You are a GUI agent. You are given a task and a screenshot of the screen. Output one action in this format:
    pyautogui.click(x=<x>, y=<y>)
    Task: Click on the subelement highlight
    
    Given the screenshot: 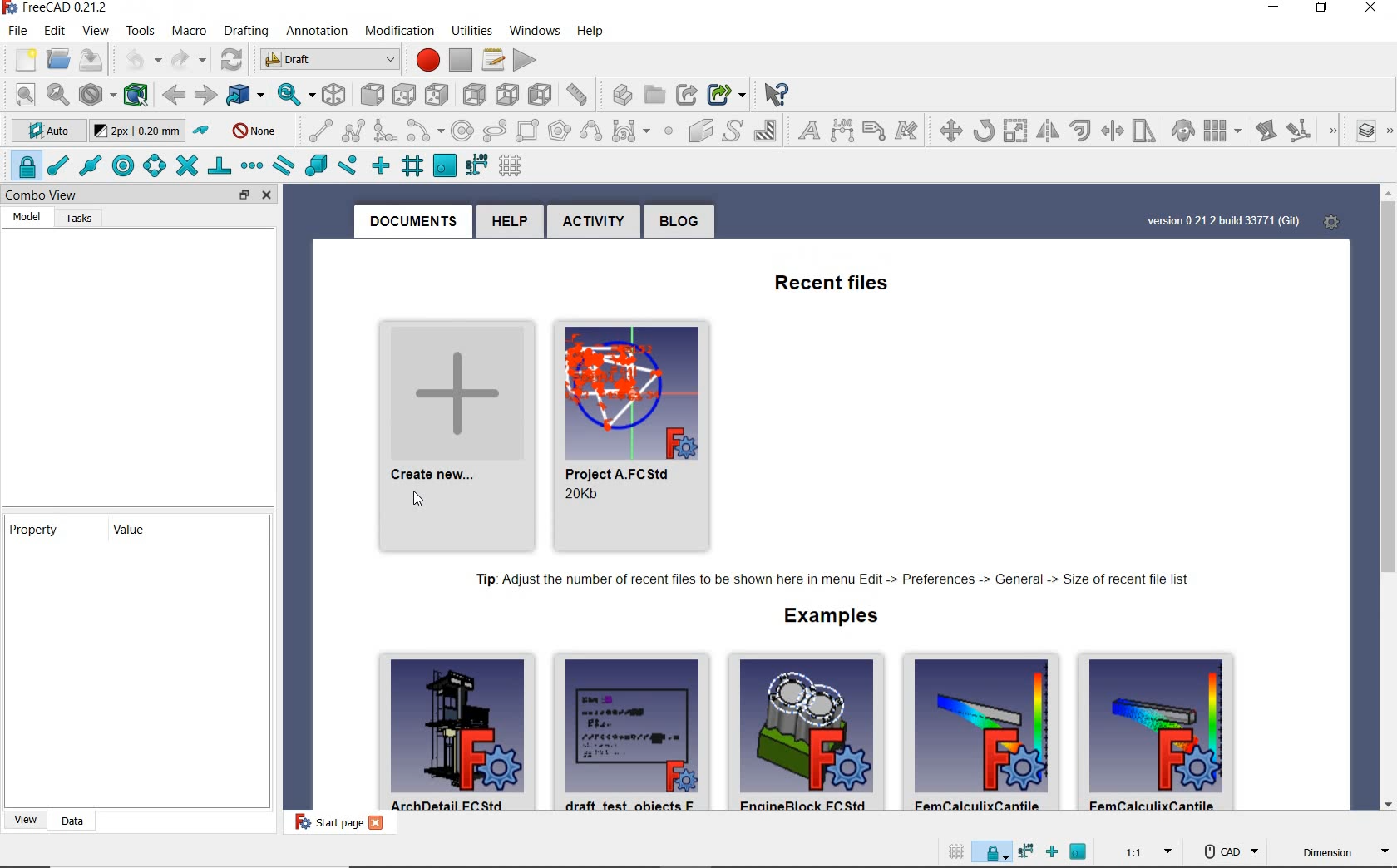 What is the action you would take?
    pyautogui.click(x=1296, y=131)
    